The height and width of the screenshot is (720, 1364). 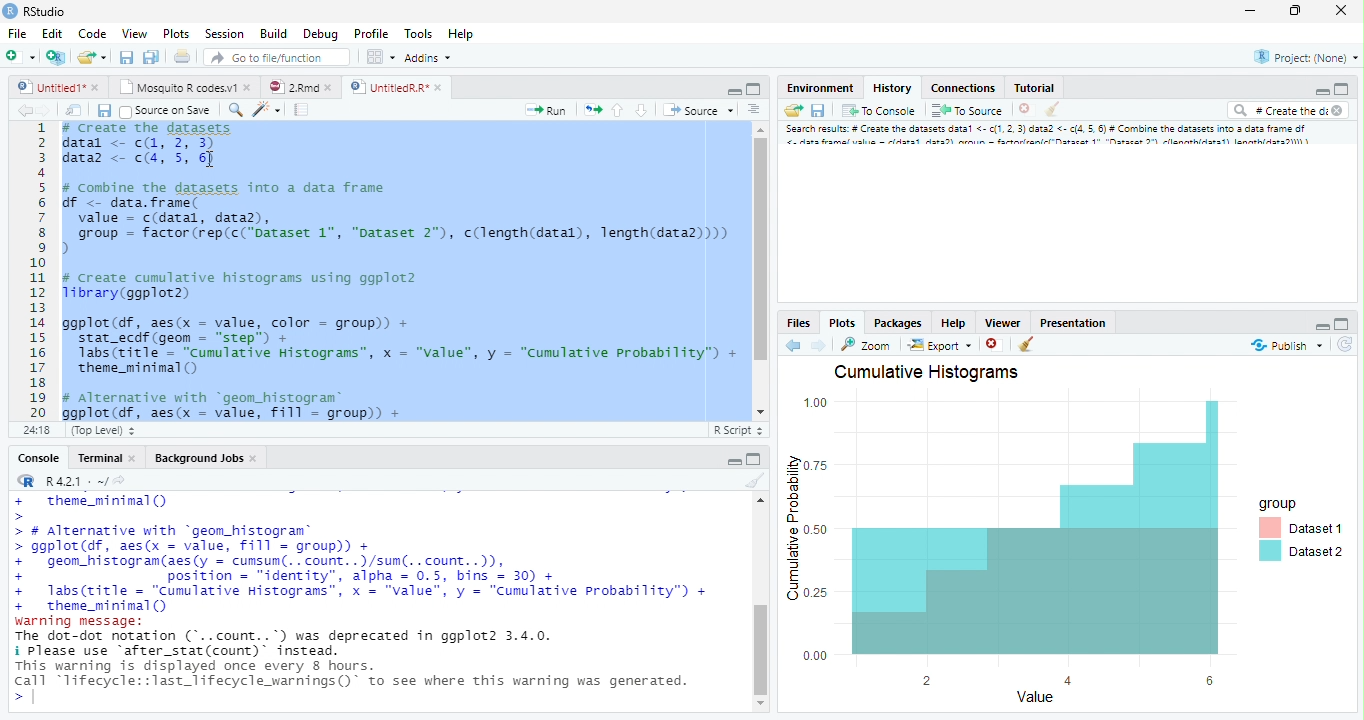 I want to click on Go to the next section/chunk, so click(x=641, y=111).